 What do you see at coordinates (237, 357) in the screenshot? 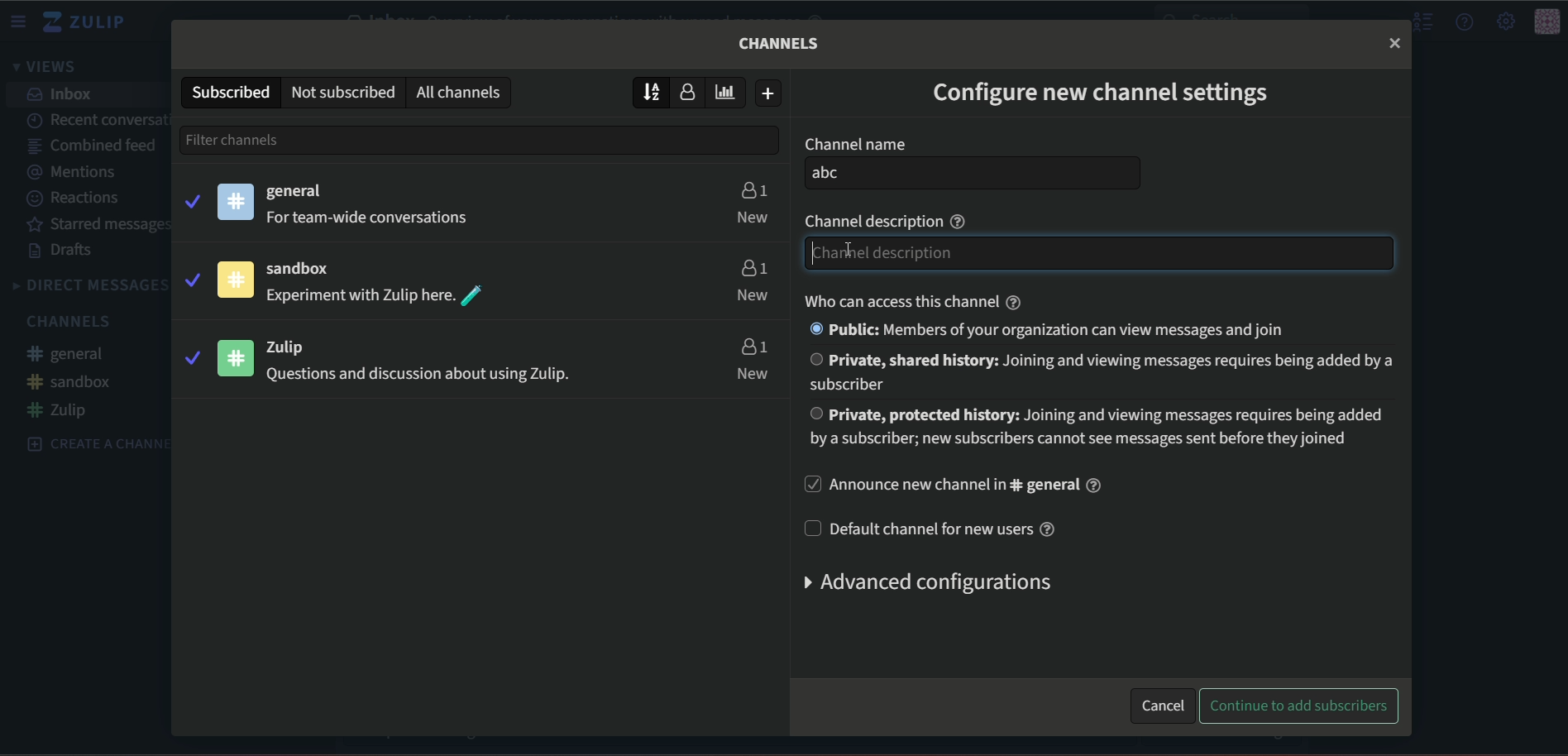
I see `icon` at bounding box center [237, 357].